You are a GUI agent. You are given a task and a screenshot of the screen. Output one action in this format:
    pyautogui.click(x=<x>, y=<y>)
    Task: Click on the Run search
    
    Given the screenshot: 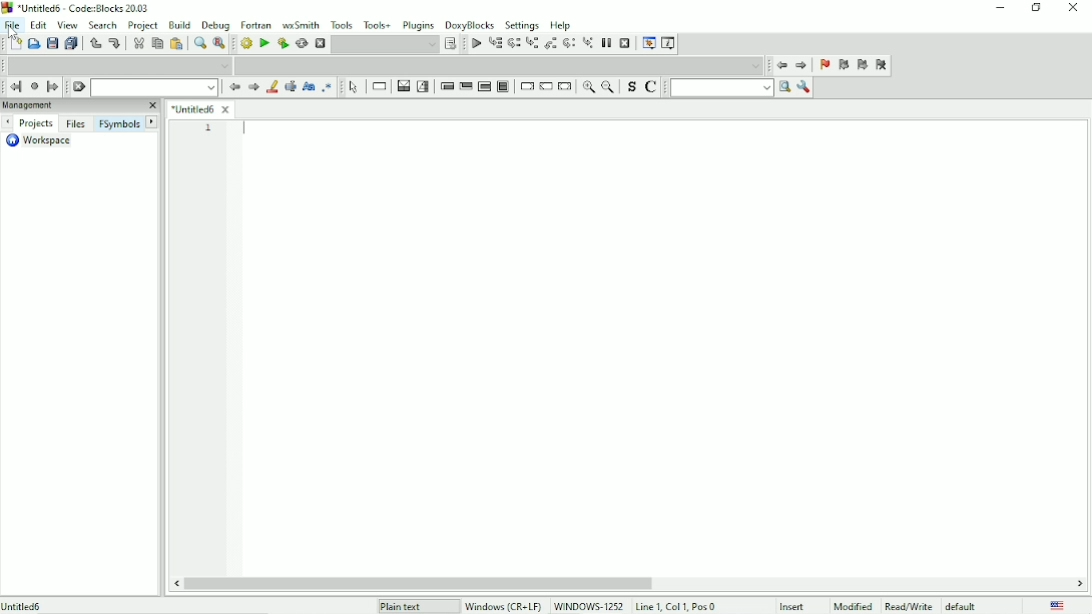 What is the action you would take?
    pyautogui.click(x=731, y=88)
    